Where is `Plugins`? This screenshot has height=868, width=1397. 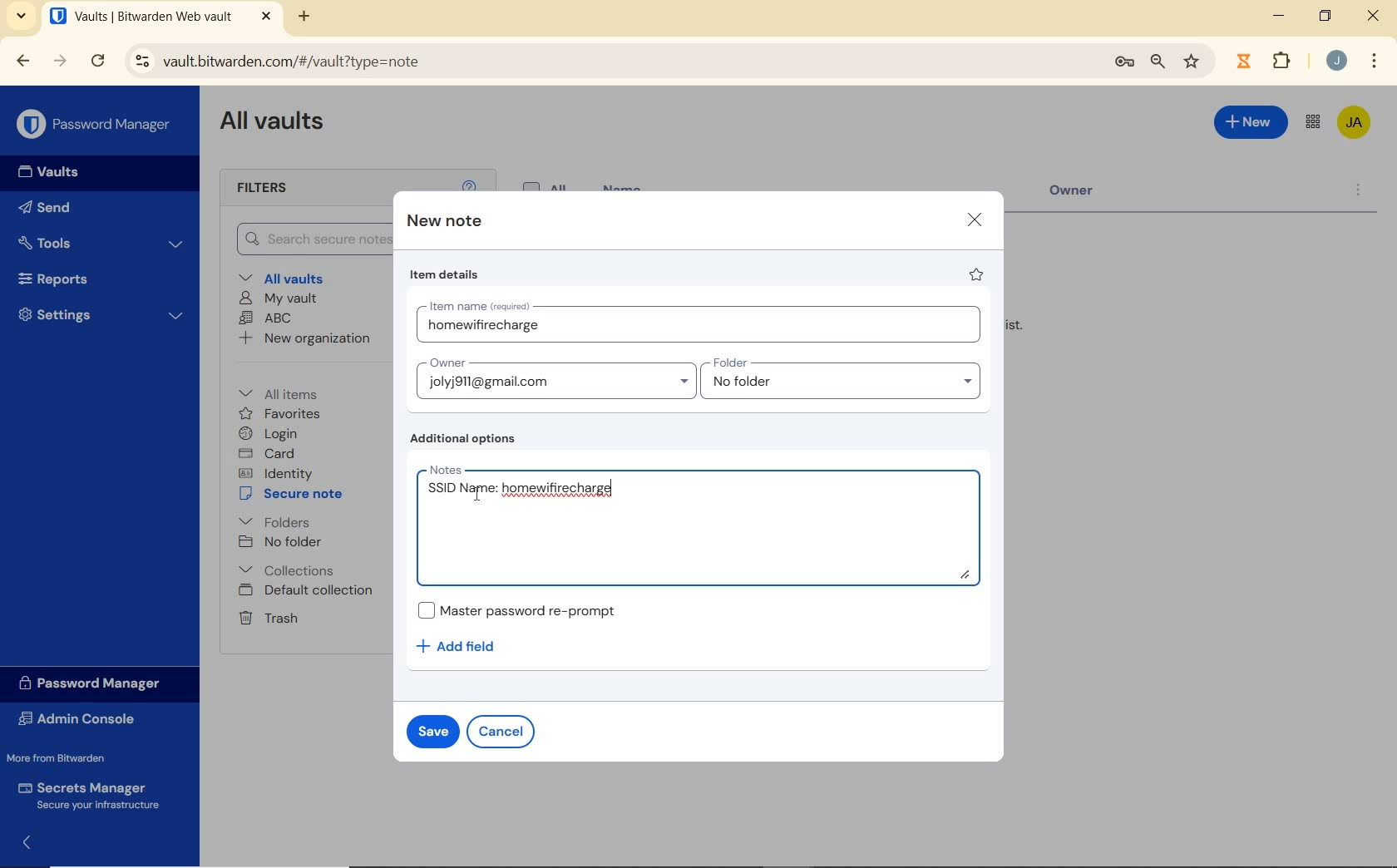
Plugins is located at coordinates (1285, 59).